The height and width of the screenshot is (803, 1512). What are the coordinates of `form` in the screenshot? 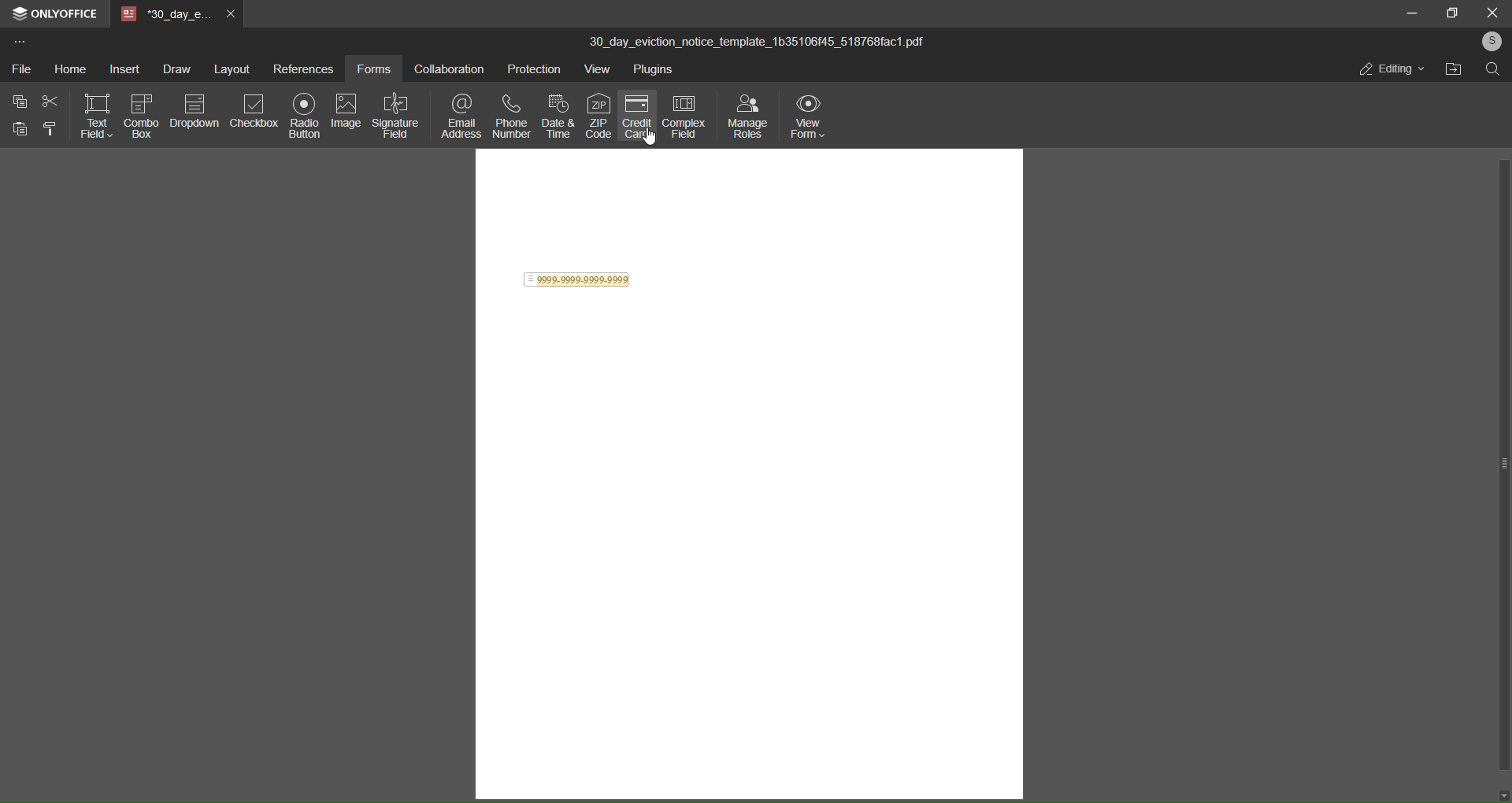 It's located at (377, 68).